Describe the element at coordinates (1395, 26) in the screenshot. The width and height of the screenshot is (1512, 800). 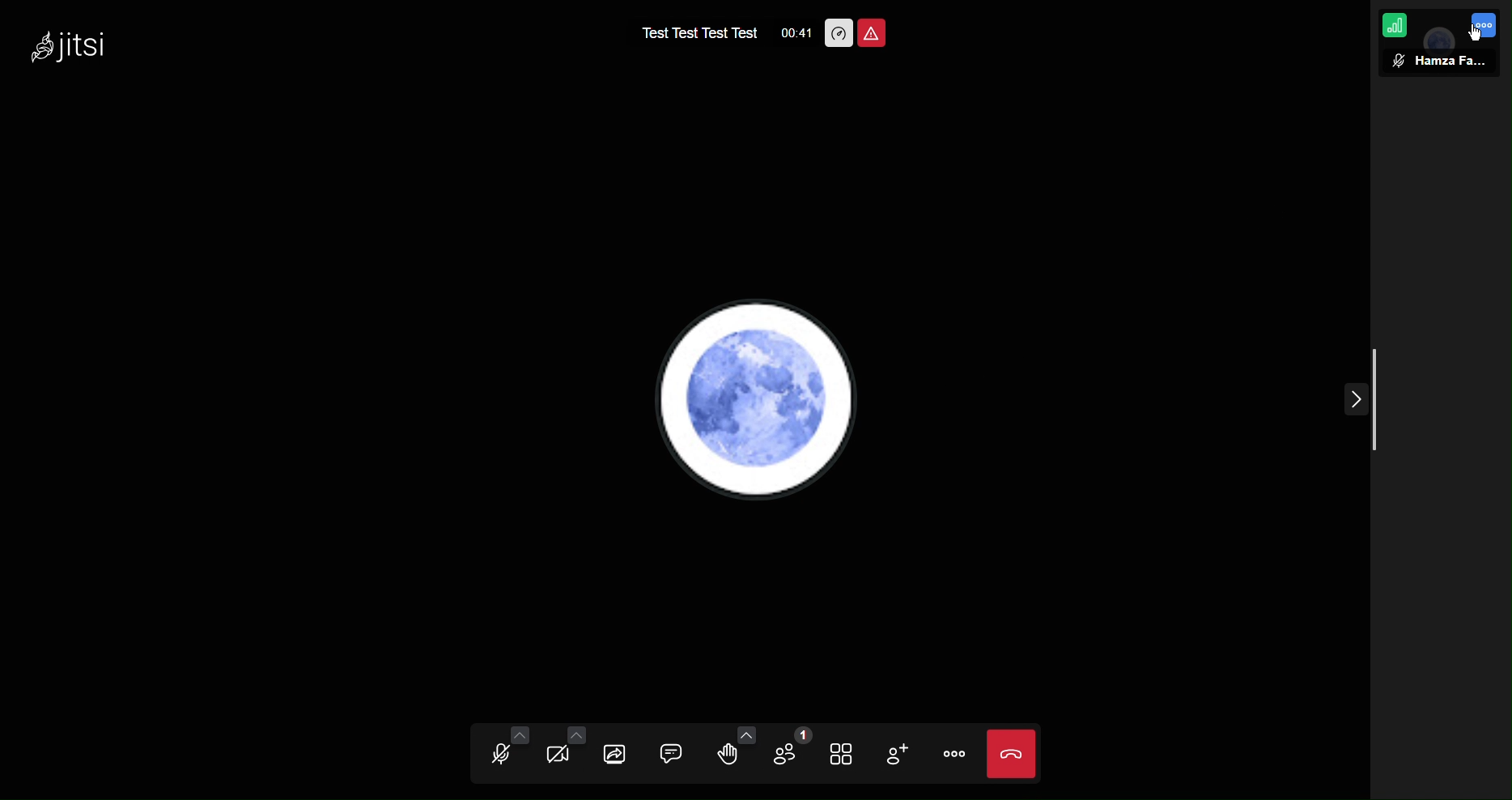
I see `Connection Bars` at that location.